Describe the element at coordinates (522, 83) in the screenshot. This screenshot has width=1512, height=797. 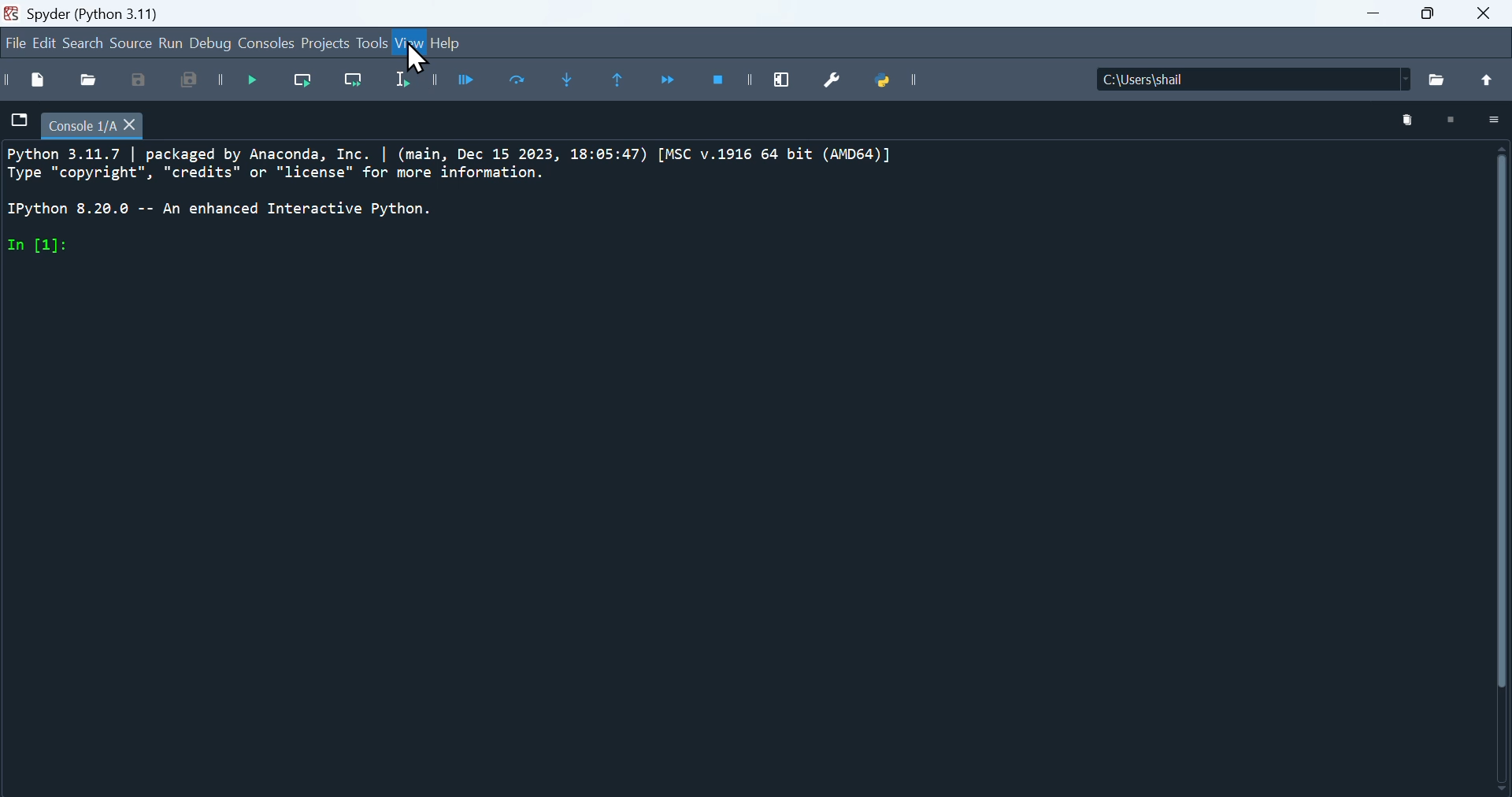
I see `Run current cell` at that location.